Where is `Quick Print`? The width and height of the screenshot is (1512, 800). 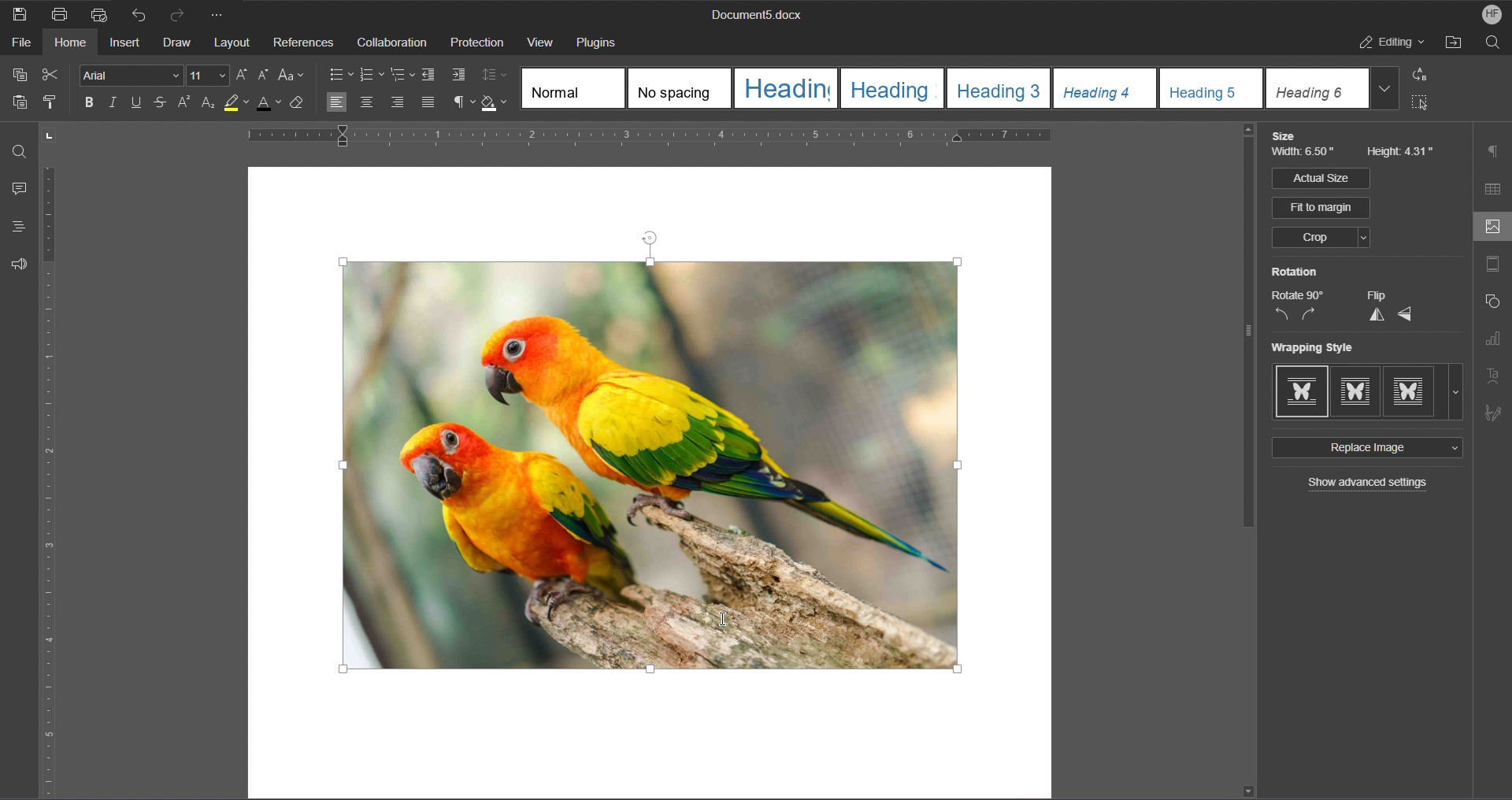
Quick Print is located at coordinates (98, 13).